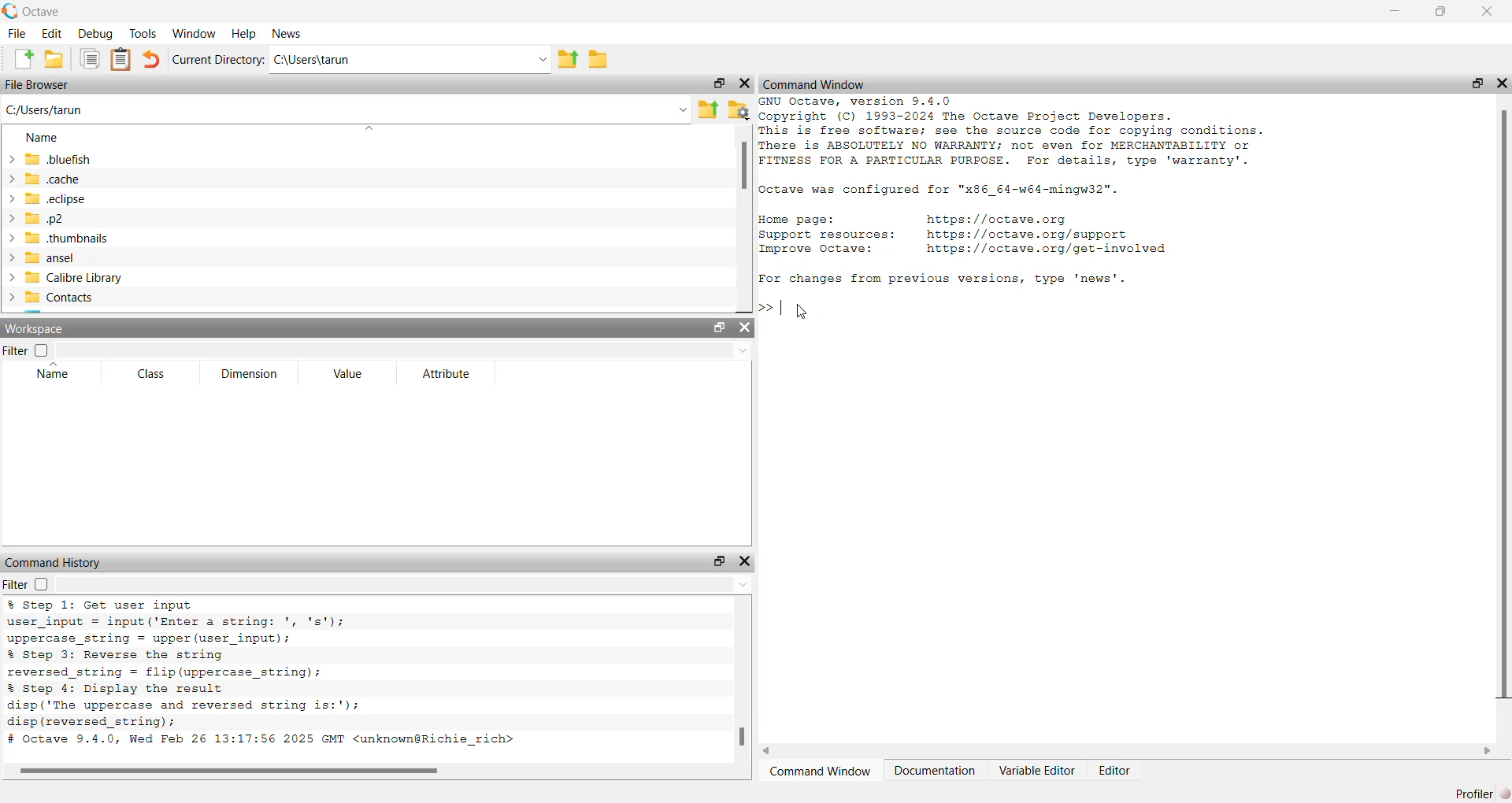 The height and width of the screenshot is (803, 1512). What do you see at coordinates (602, 60) in the screenshot?
I see `browse directories` at bounding box center [602, 60].